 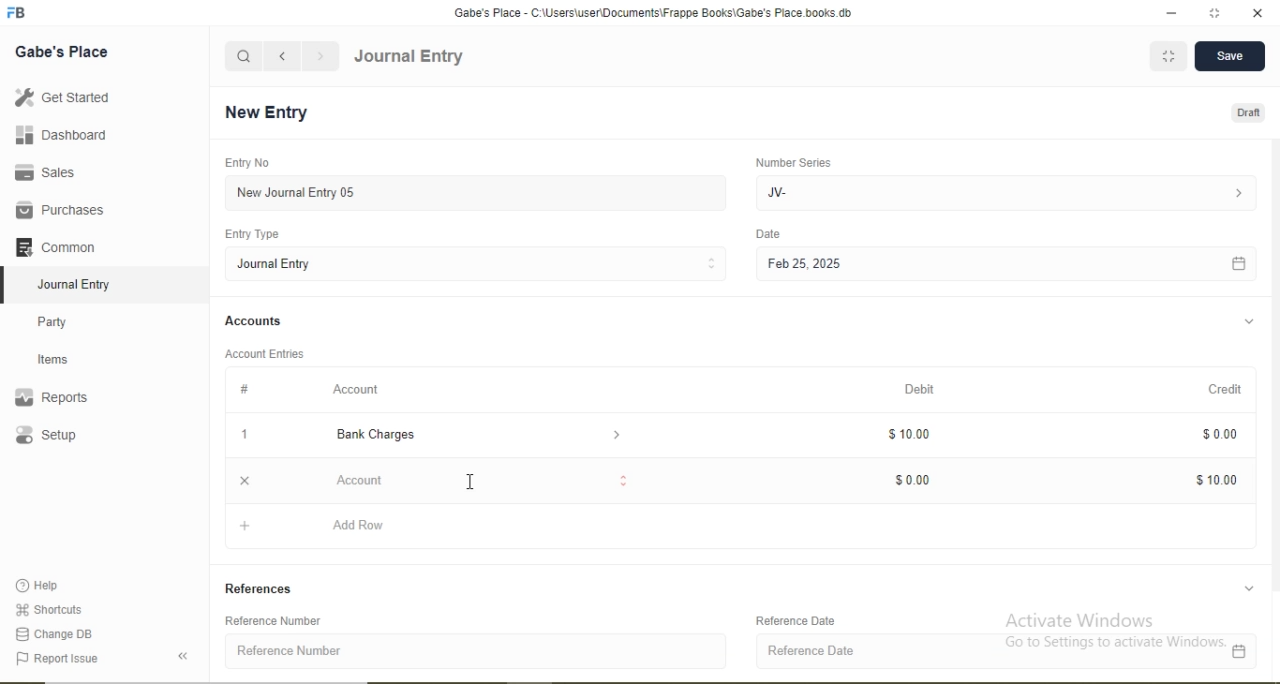 What do you see at coordinates (272, 113) in the screenshot?
I see `New Entry` at bounding box center [272, 113].